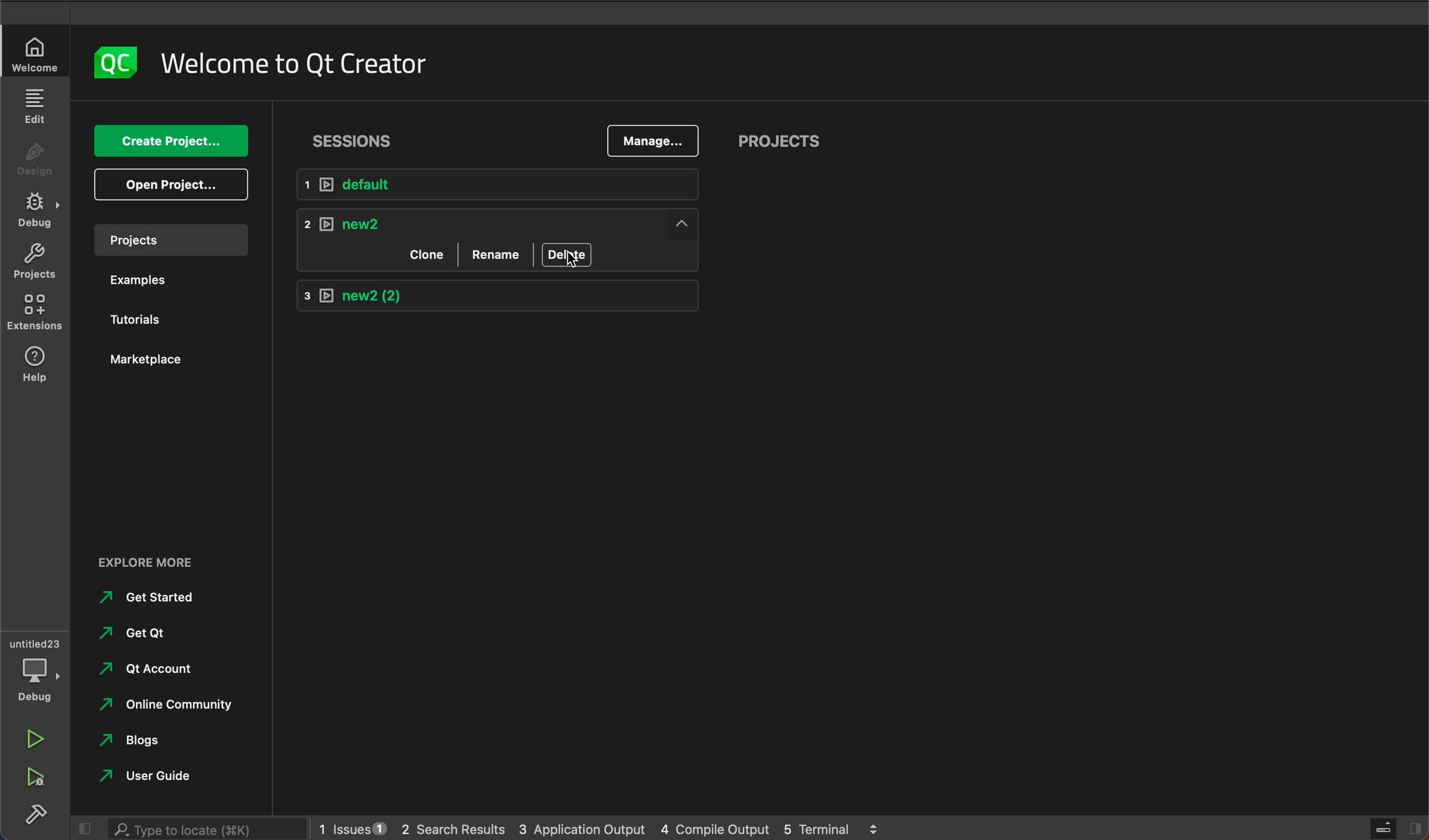  Describe the element at coordinates (160, 281) in the screenshot. I see `examples` at that location.